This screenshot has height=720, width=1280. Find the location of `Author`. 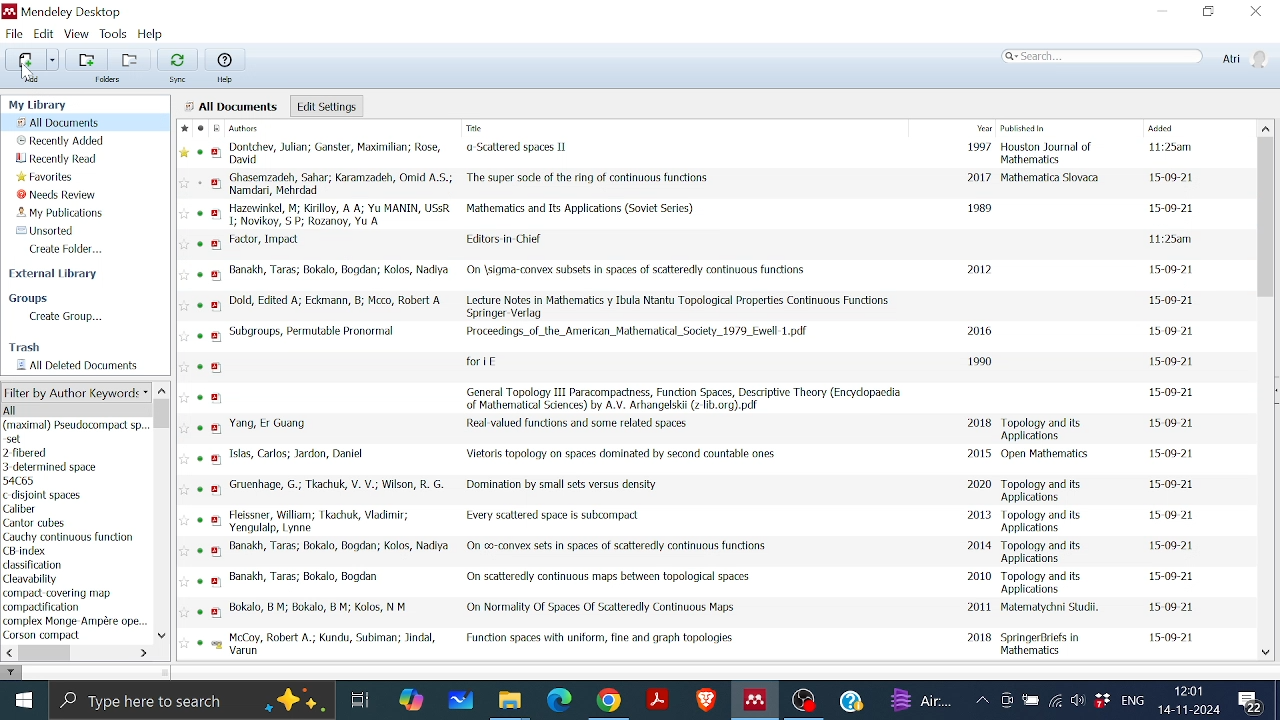

Author is located at coordinates (338, 154).